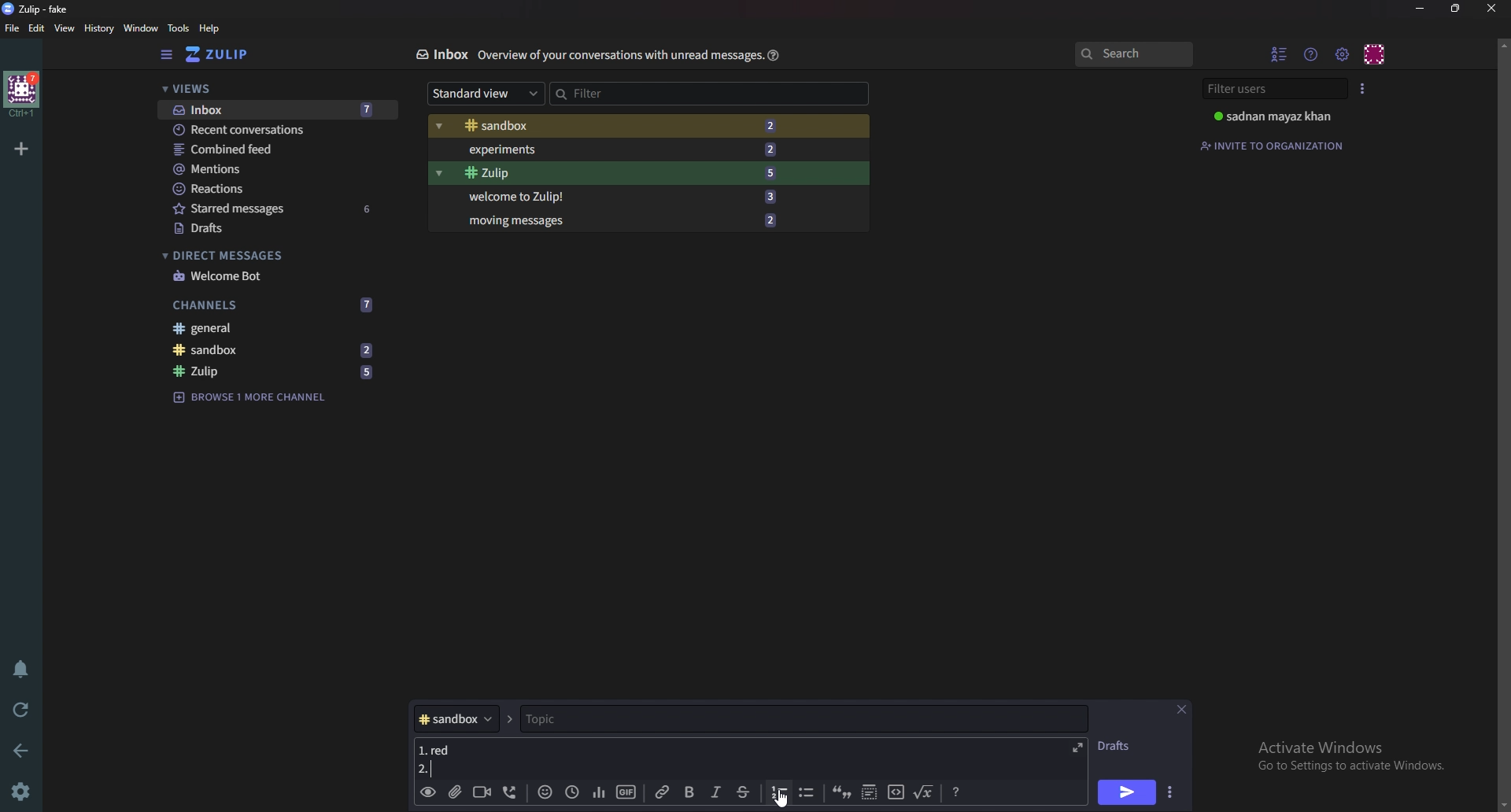 The height and width of the screenshot is (812, 1511). What do you see at coordinates (1182, 709) in the screenshot?
I see `close message` at bounding box center [1182, 709].